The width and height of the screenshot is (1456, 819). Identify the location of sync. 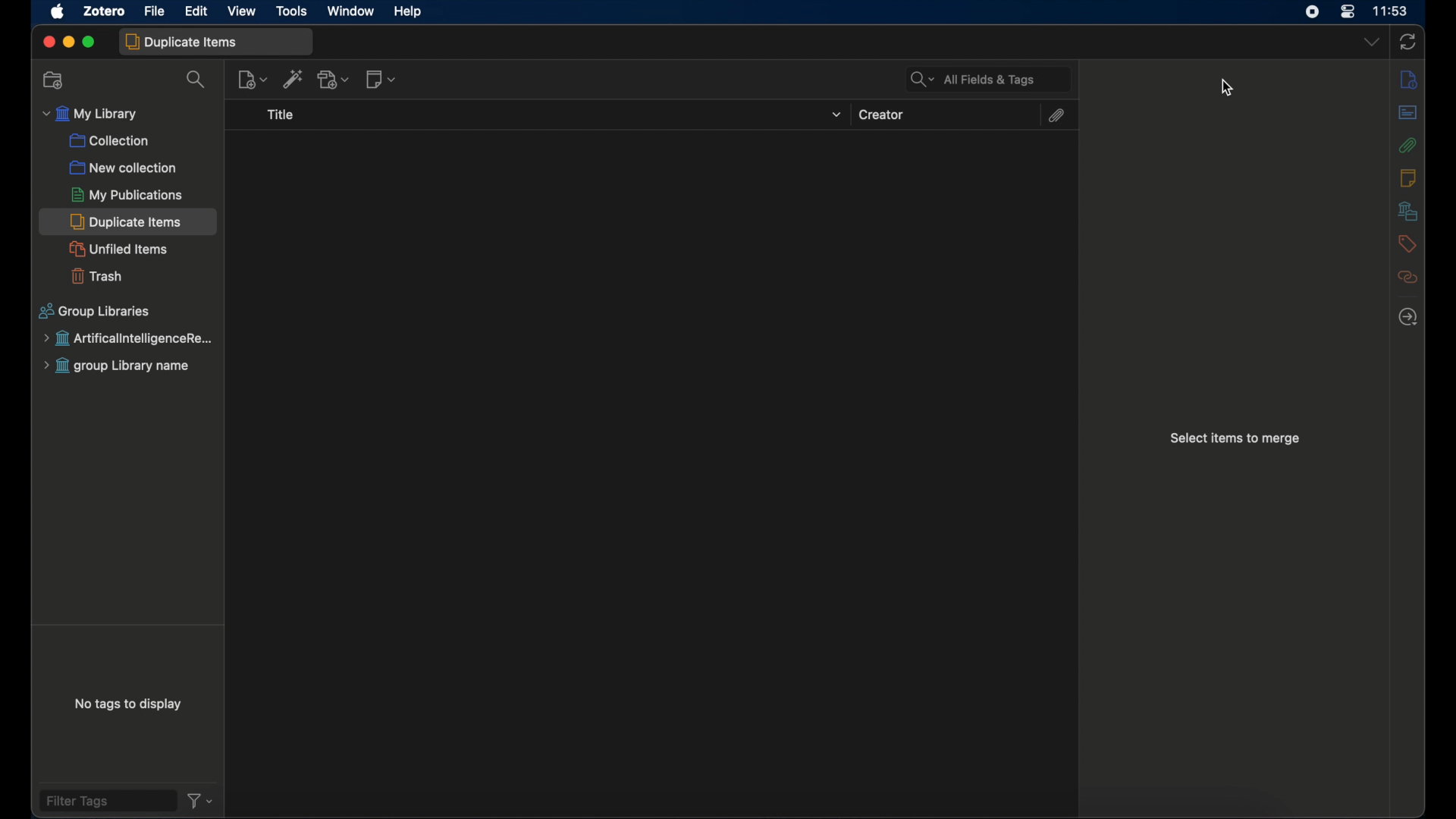
(1407, 42).